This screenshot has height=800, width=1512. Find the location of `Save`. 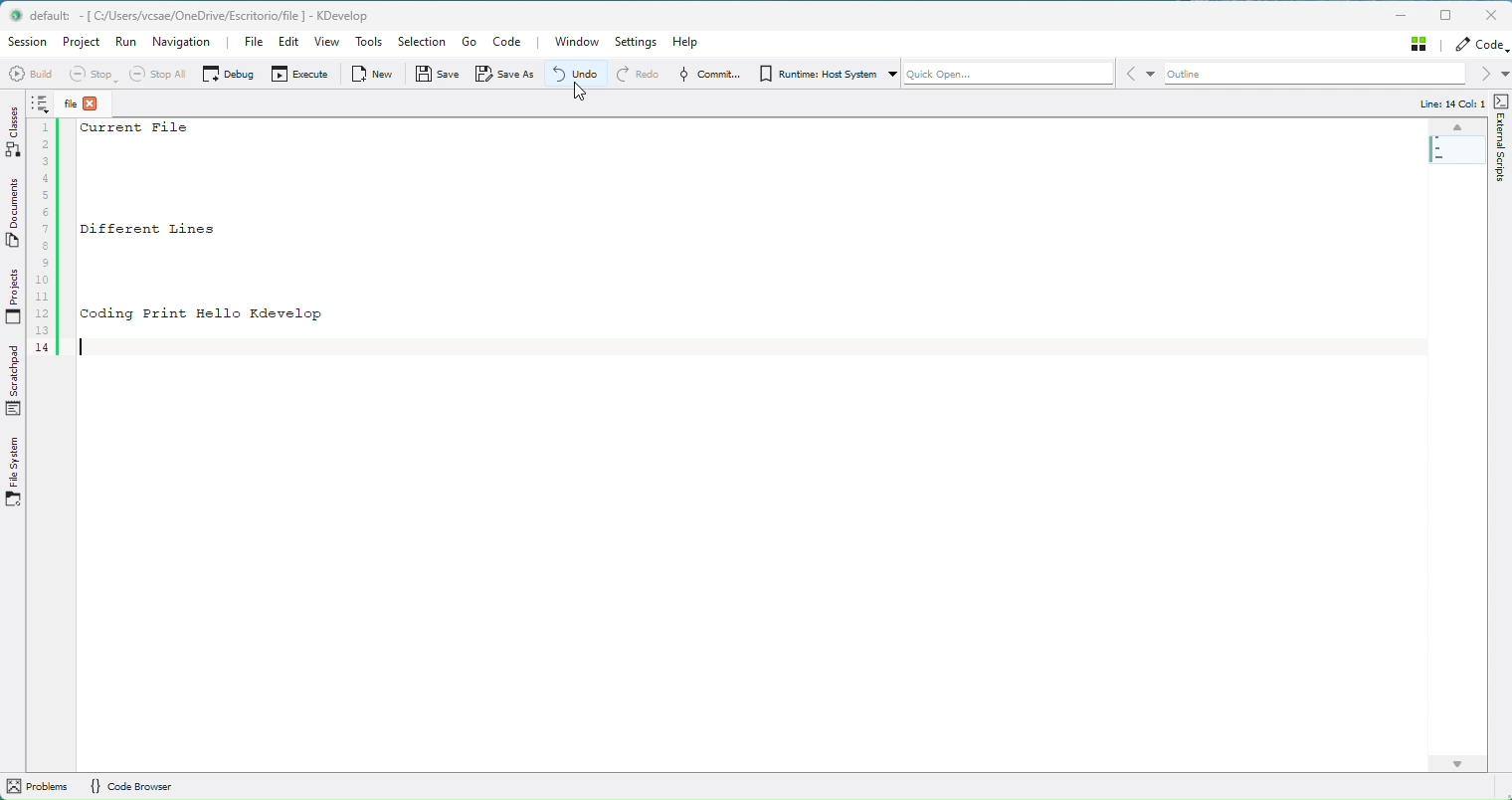

Save is located at coordinates (439, 75).